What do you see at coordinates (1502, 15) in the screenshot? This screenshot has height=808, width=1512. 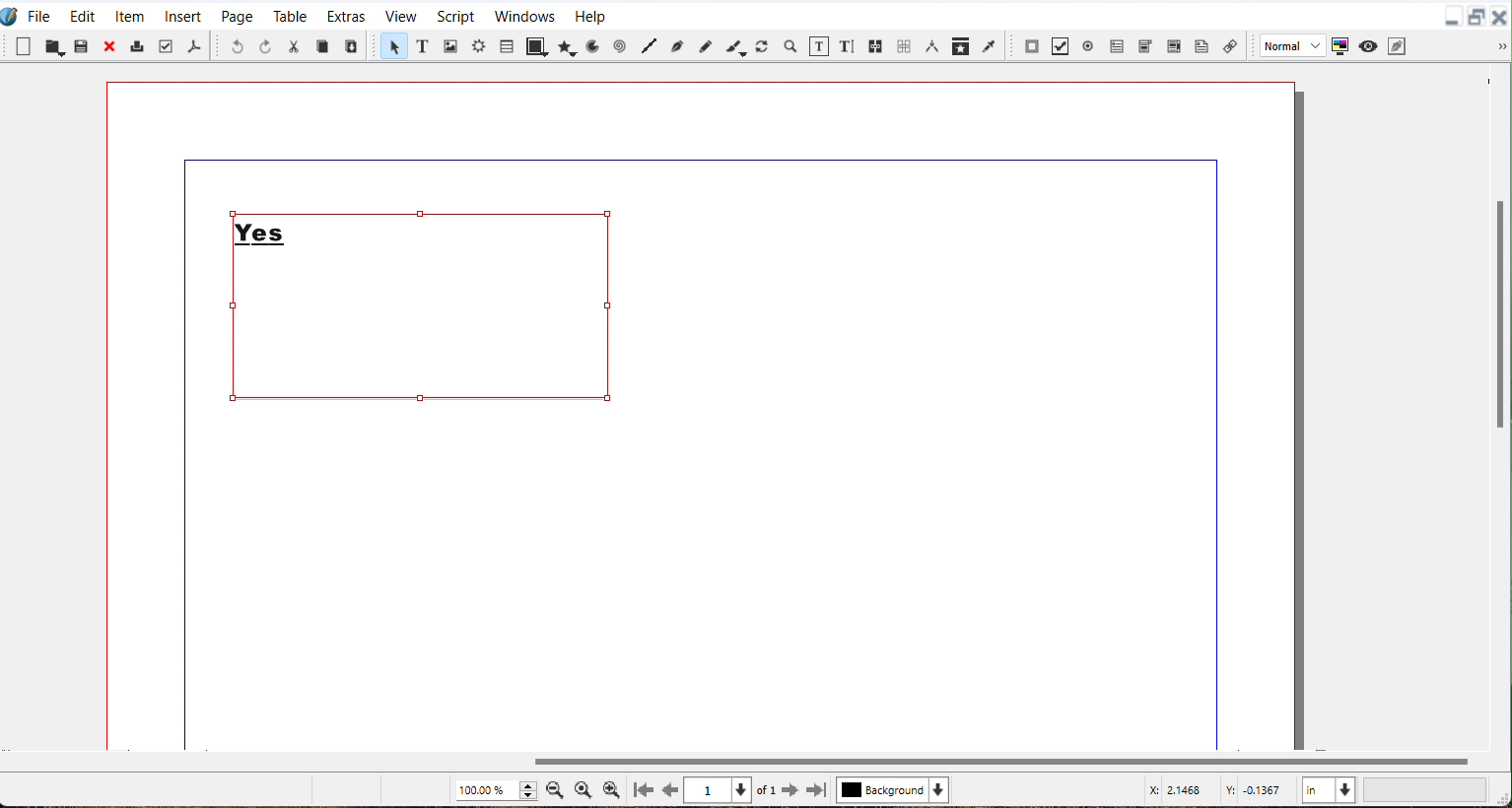 I see `Close` at bounding box center [1502, 15].